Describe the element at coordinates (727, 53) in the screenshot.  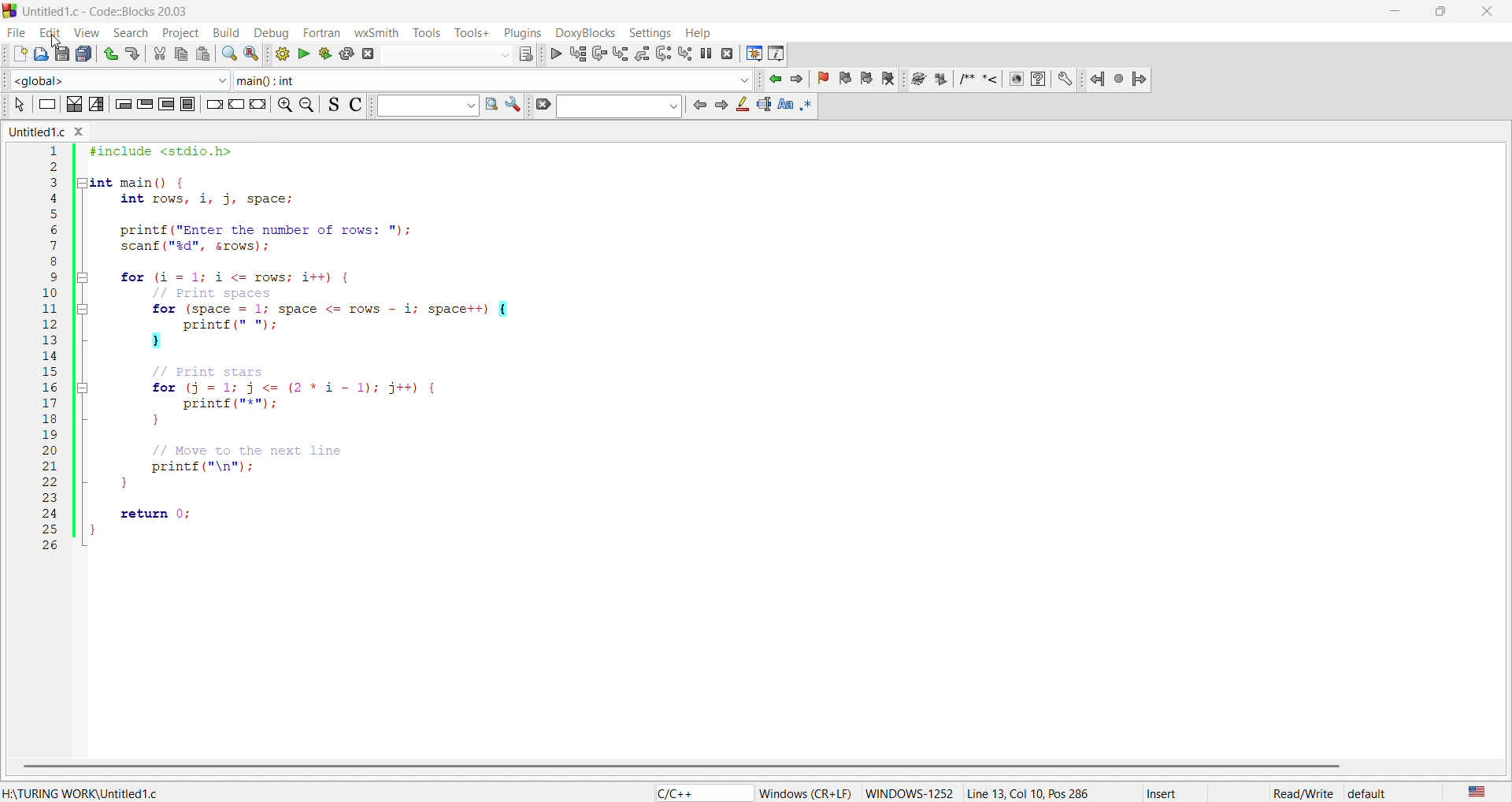
I see `stop debugging` at that location.